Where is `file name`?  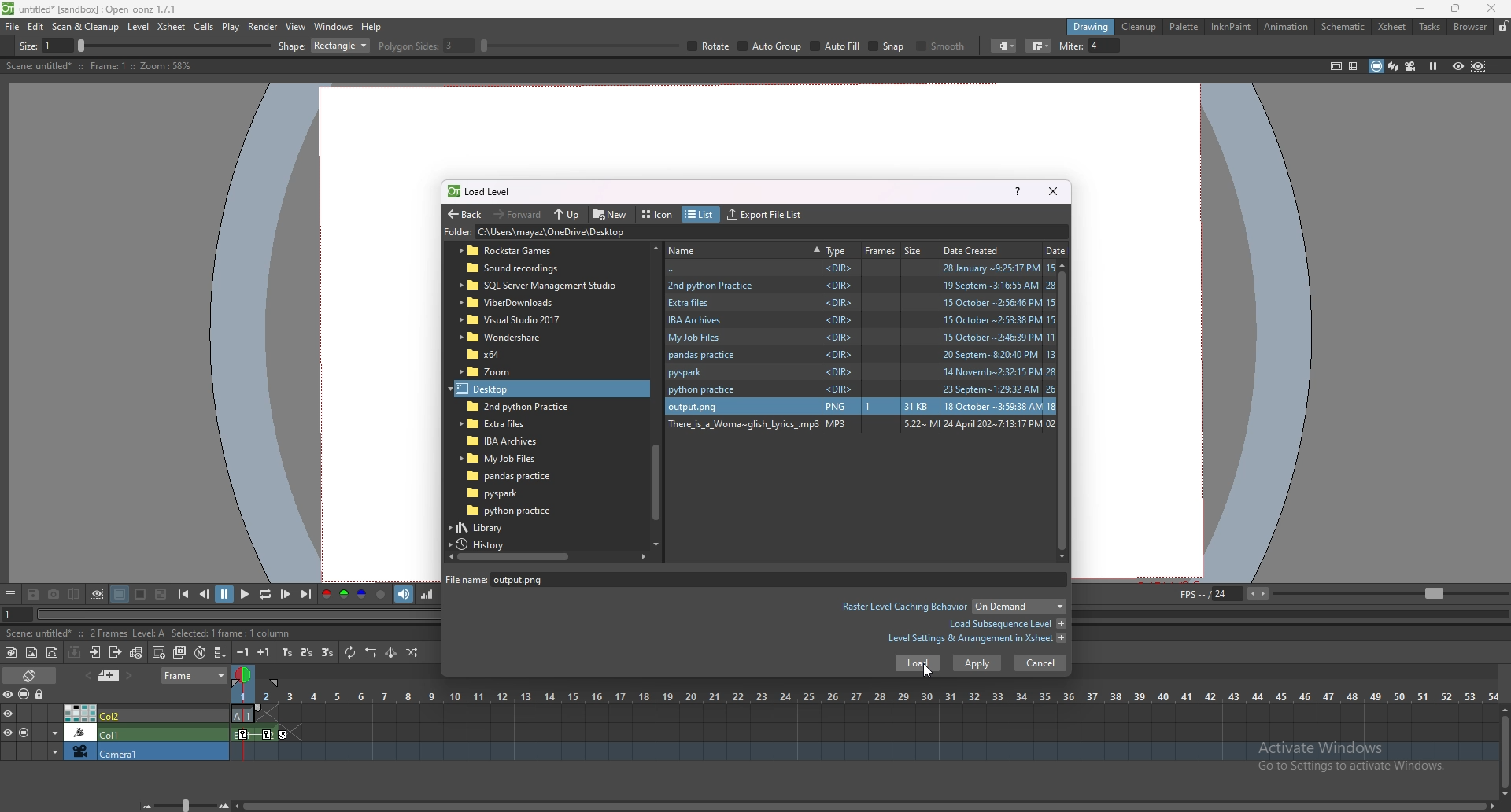 file name is located at coordinates (534, 579).